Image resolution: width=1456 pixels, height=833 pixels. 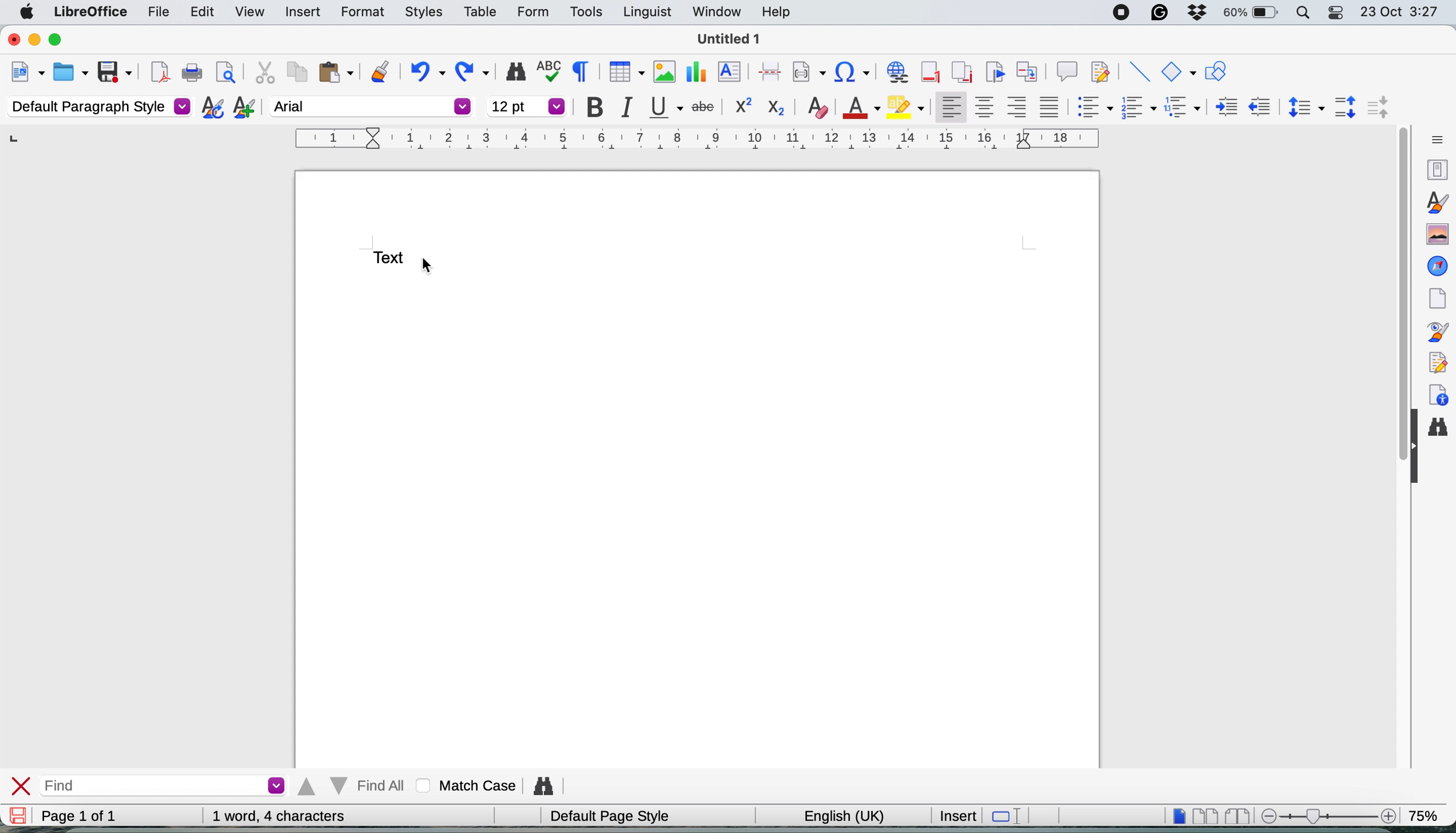 I want to click on insert cross reference, so click(x=1029, y=73).